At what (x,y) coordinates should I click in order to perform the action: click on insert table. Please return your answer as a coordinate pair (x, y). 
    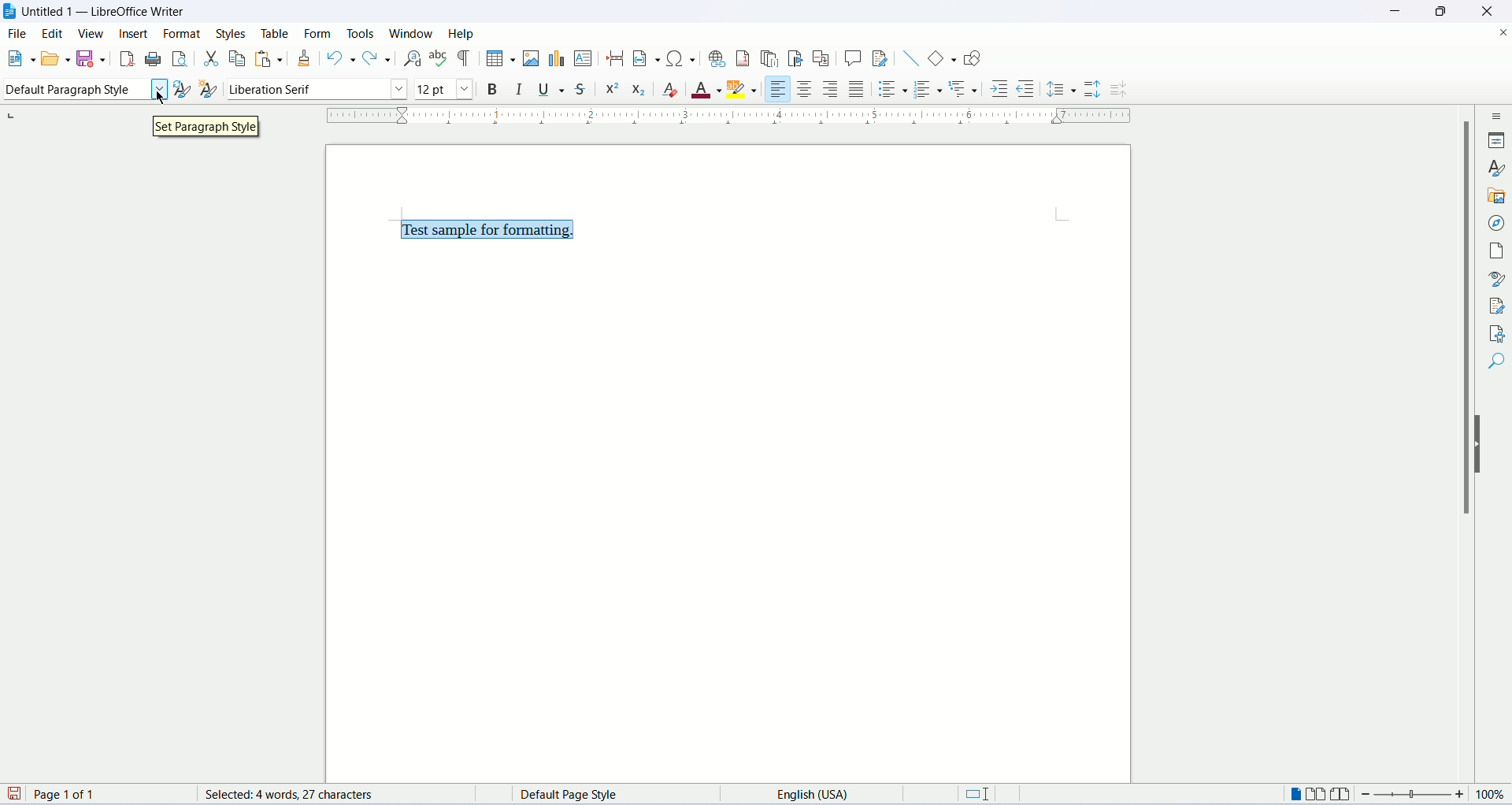
    Looking at the image, I should click on (498, 57).